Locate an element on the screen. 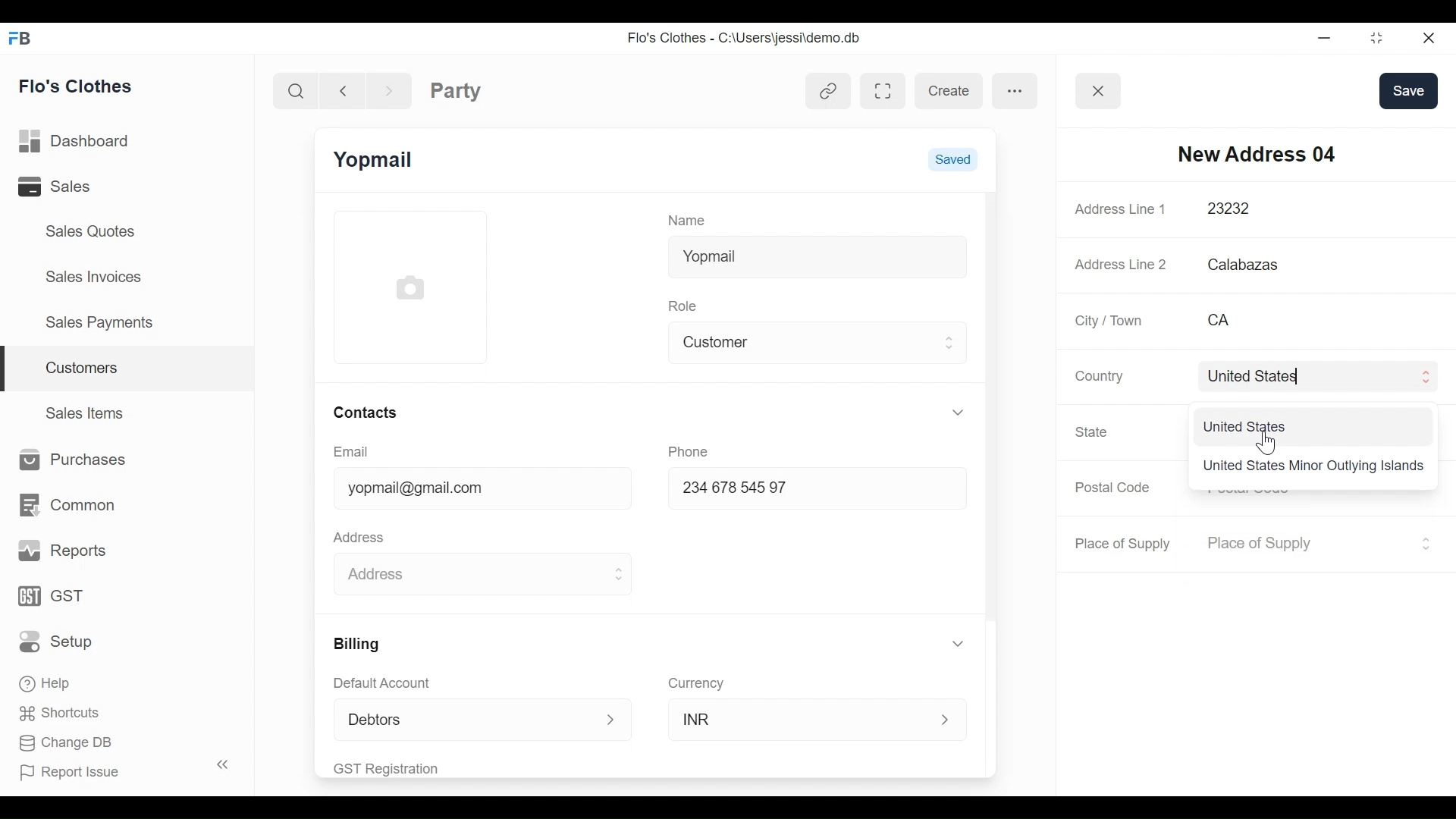  Sales Quotes is located at coordinates (92, 231).